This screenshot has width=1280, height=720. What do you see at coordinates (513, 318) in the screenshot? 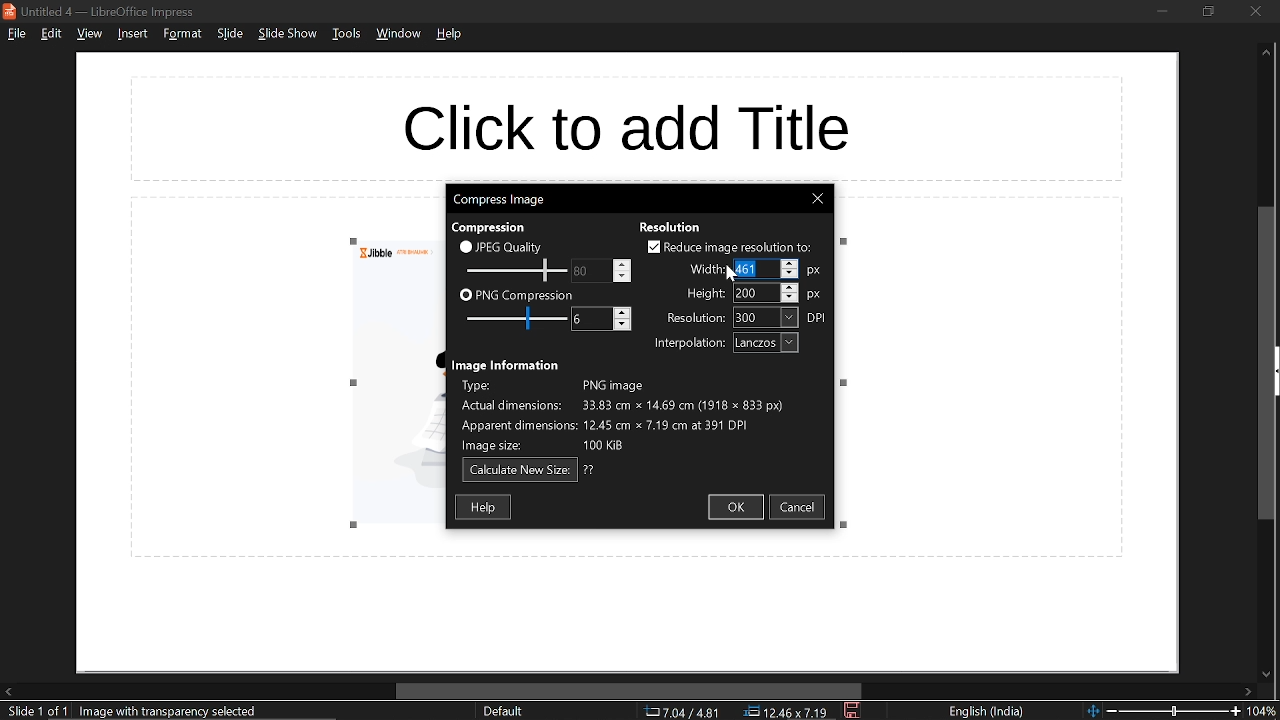
I see `PNG compression scale` at bounding box center [513, 318].